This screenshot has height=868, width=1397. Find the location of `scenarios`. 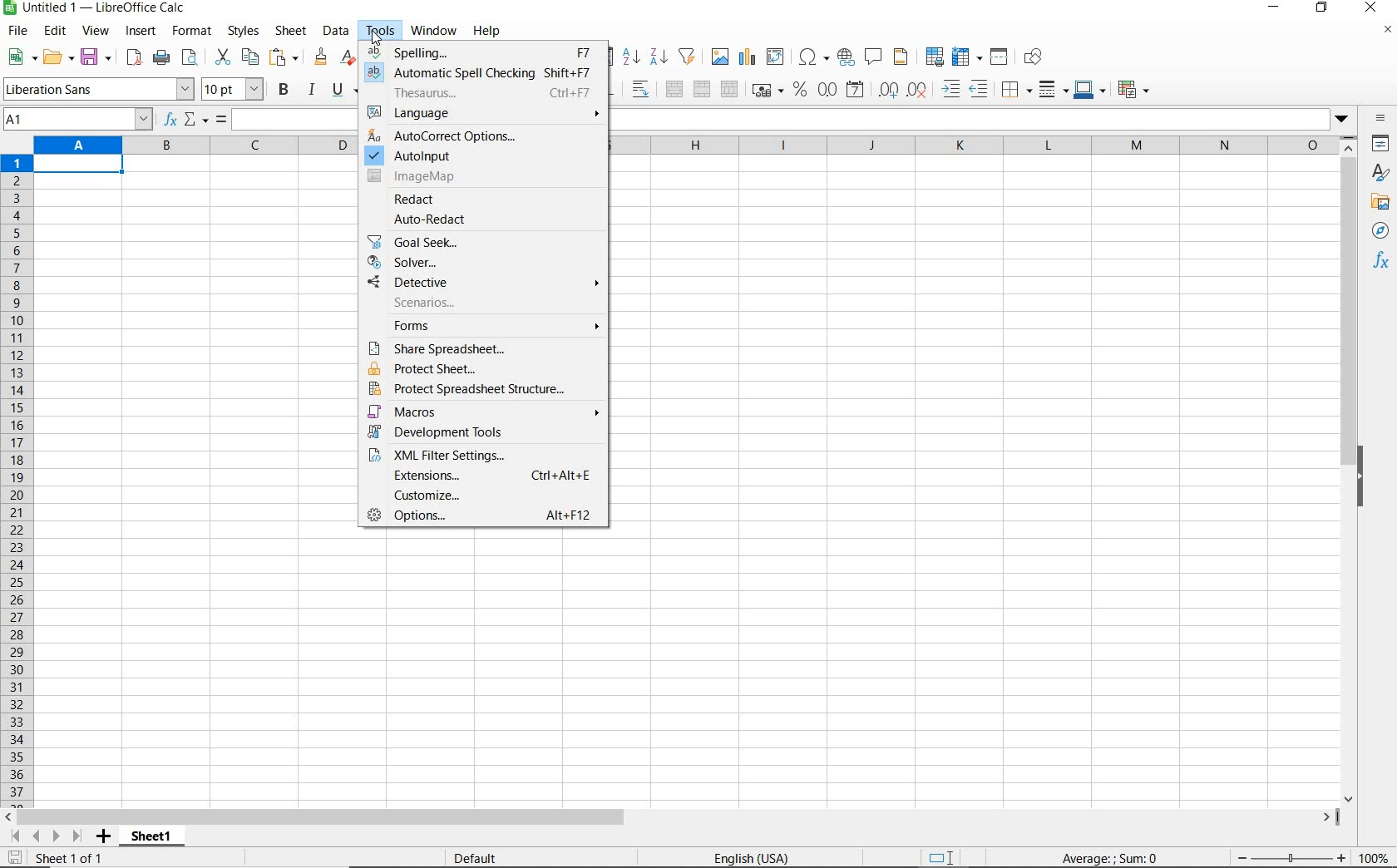

scenarios is located at coordinates (482, 302).